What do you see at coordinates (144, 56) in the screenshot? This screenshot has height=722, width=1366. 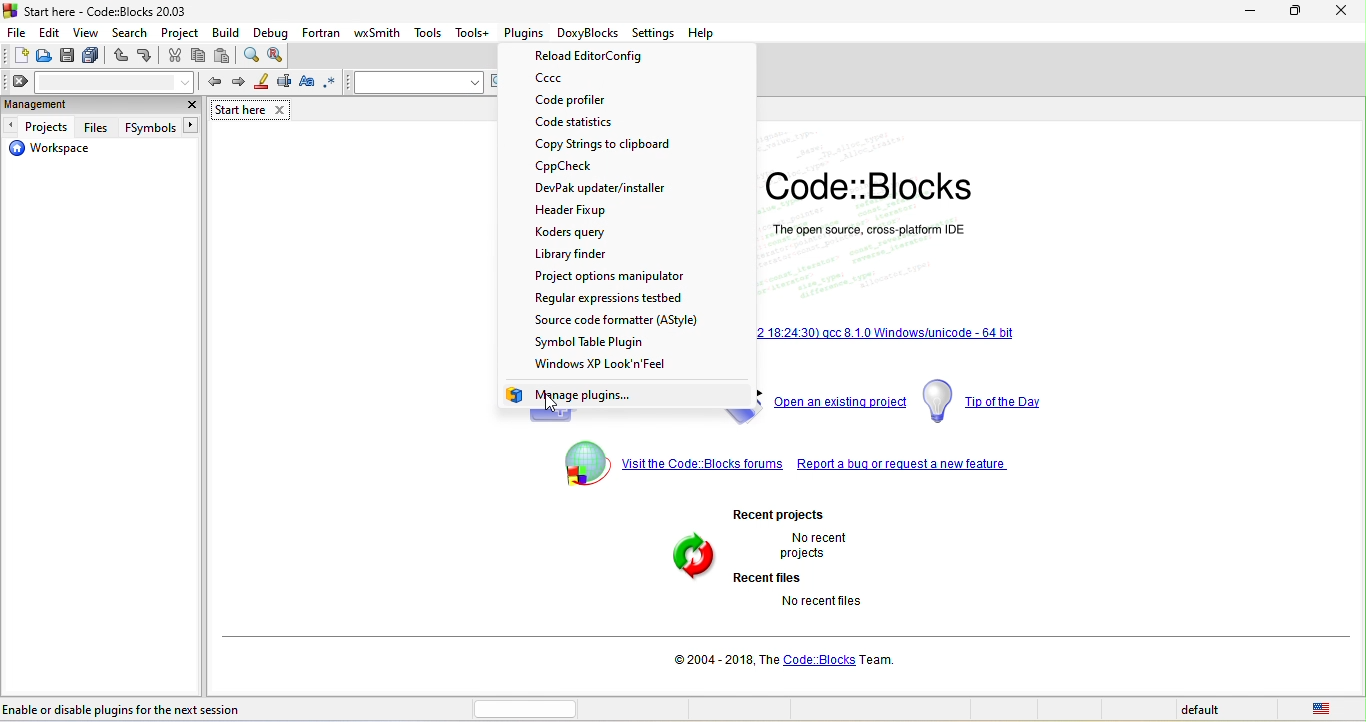 I see `redo` at bounding box center [144, 56].